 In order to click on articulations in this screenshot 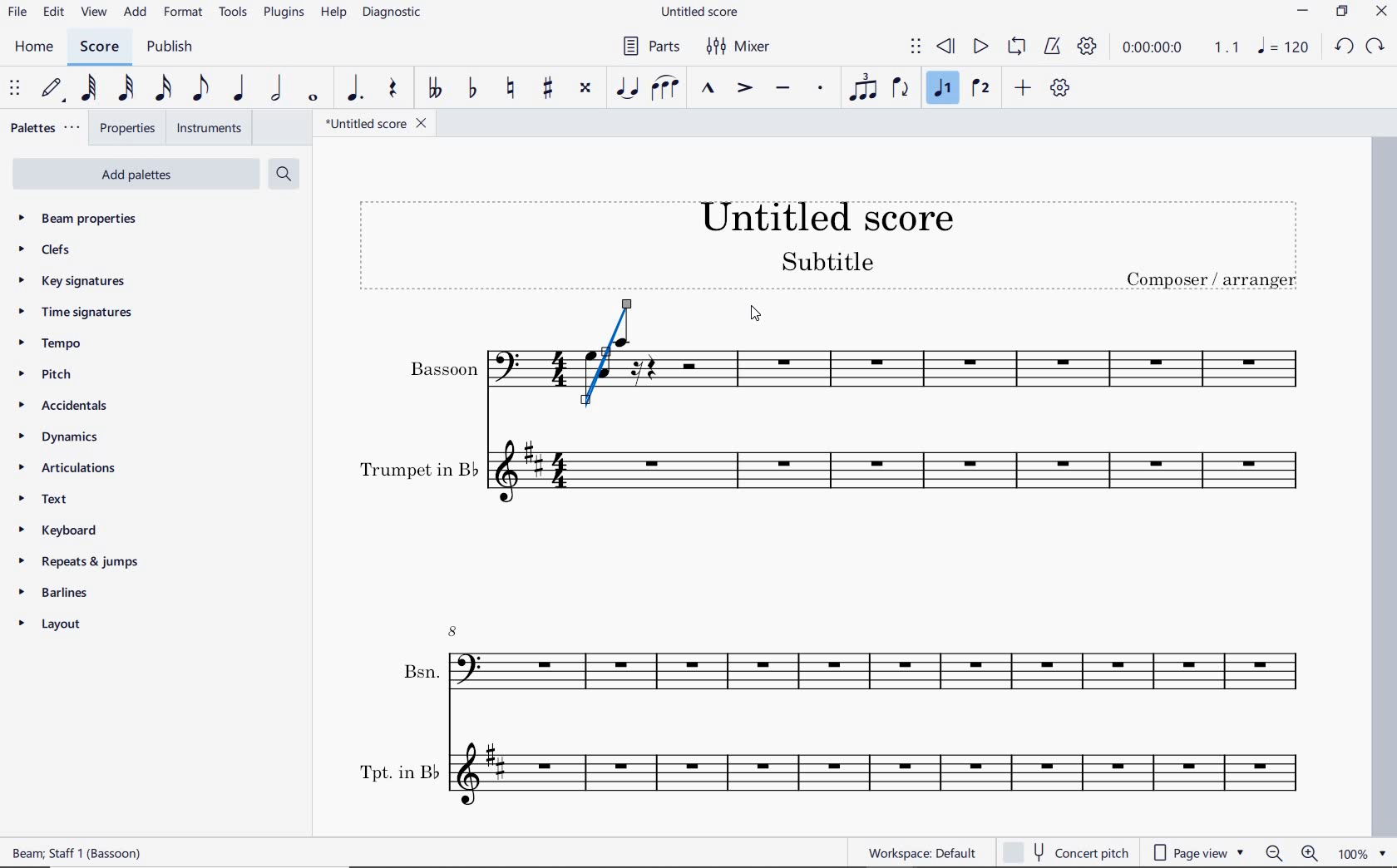, I will do `click(71, 468)`.